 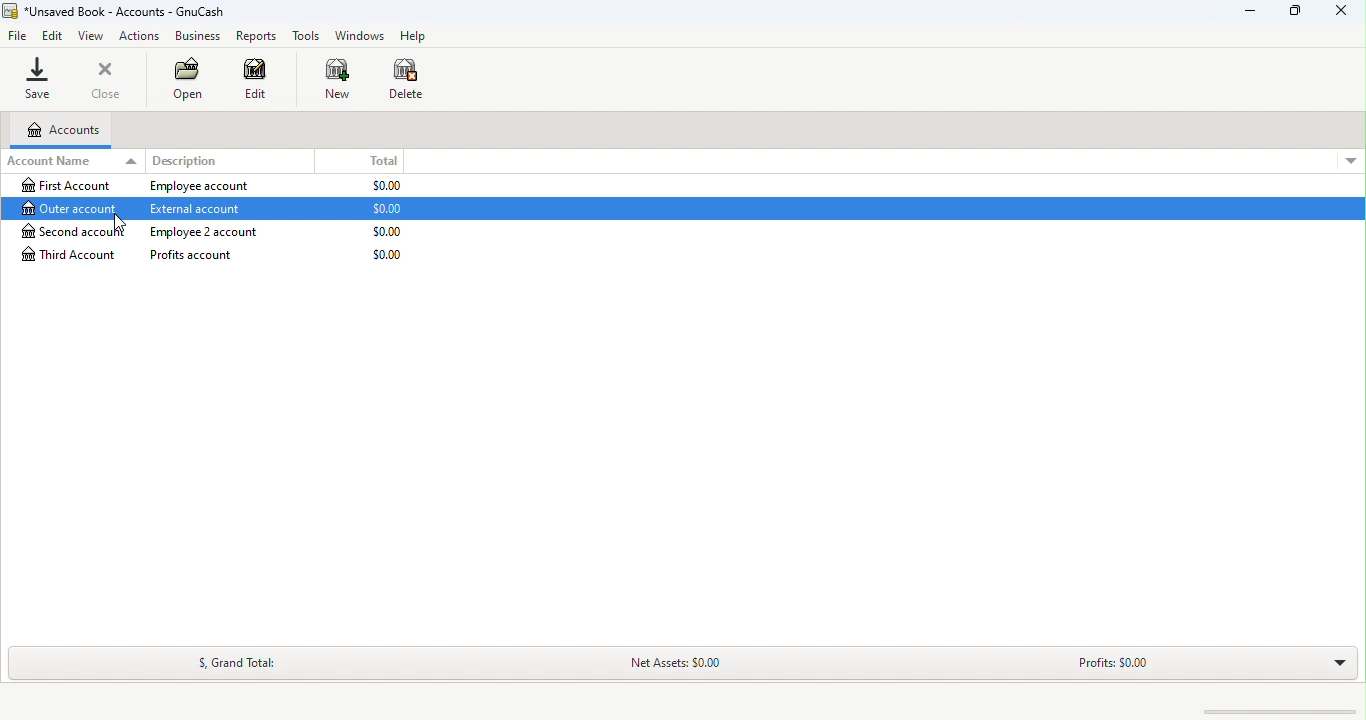 I want to click on Total, so click(x=392, y=158).